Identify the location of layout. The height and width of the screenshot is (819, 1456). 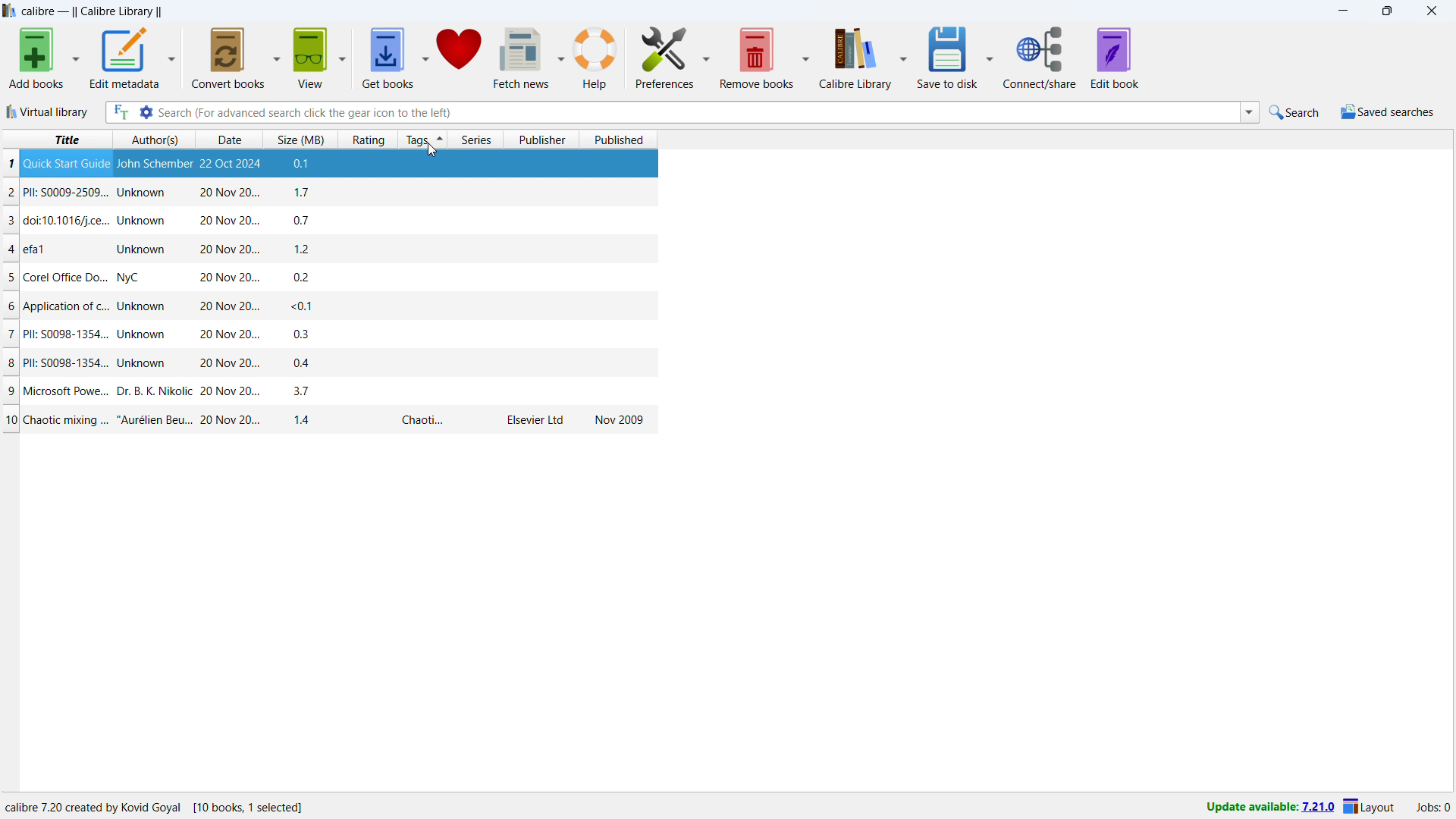
(1371, 808).